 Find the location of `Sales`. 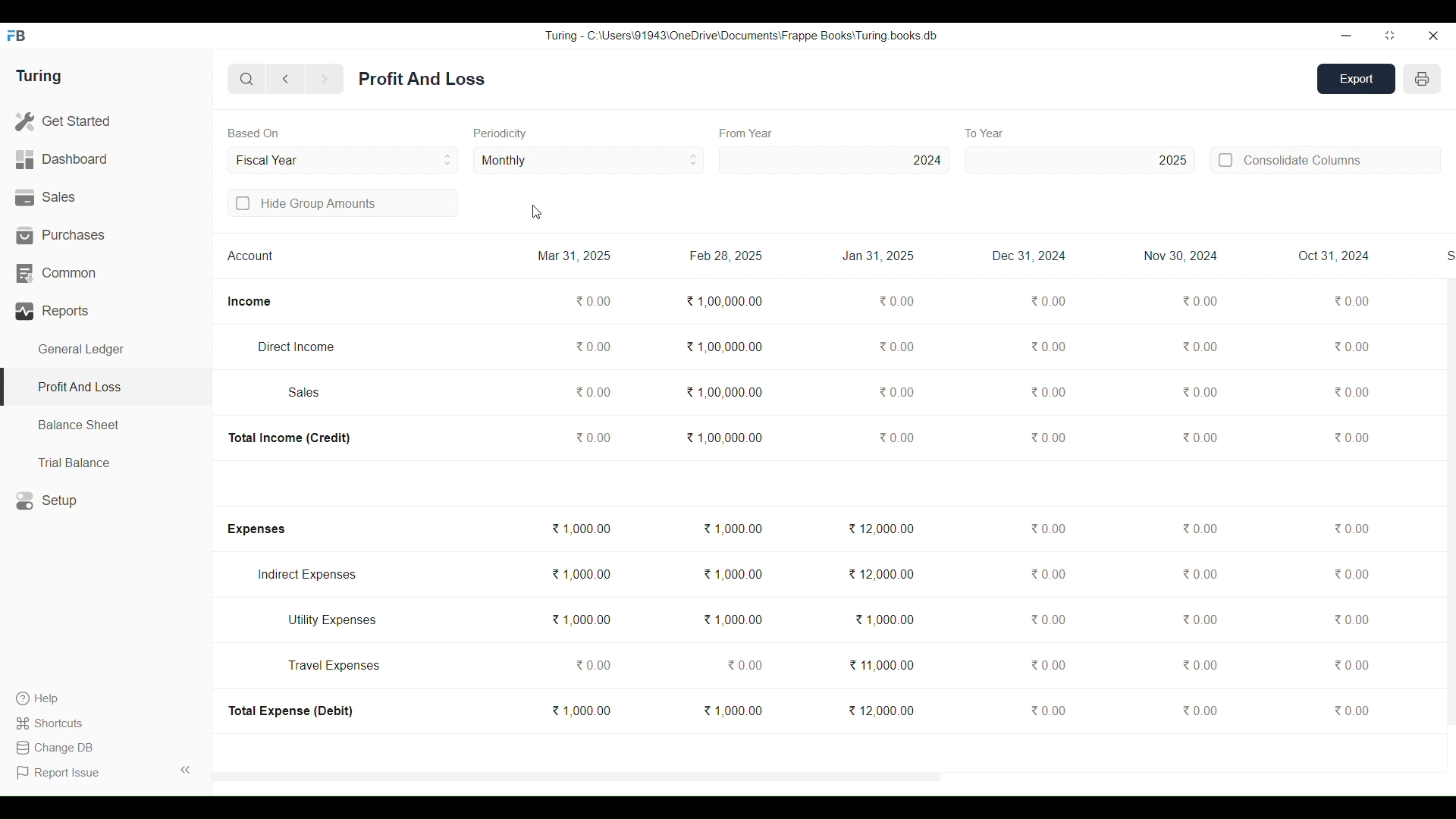

Sales is located at coordinates (305, 392).